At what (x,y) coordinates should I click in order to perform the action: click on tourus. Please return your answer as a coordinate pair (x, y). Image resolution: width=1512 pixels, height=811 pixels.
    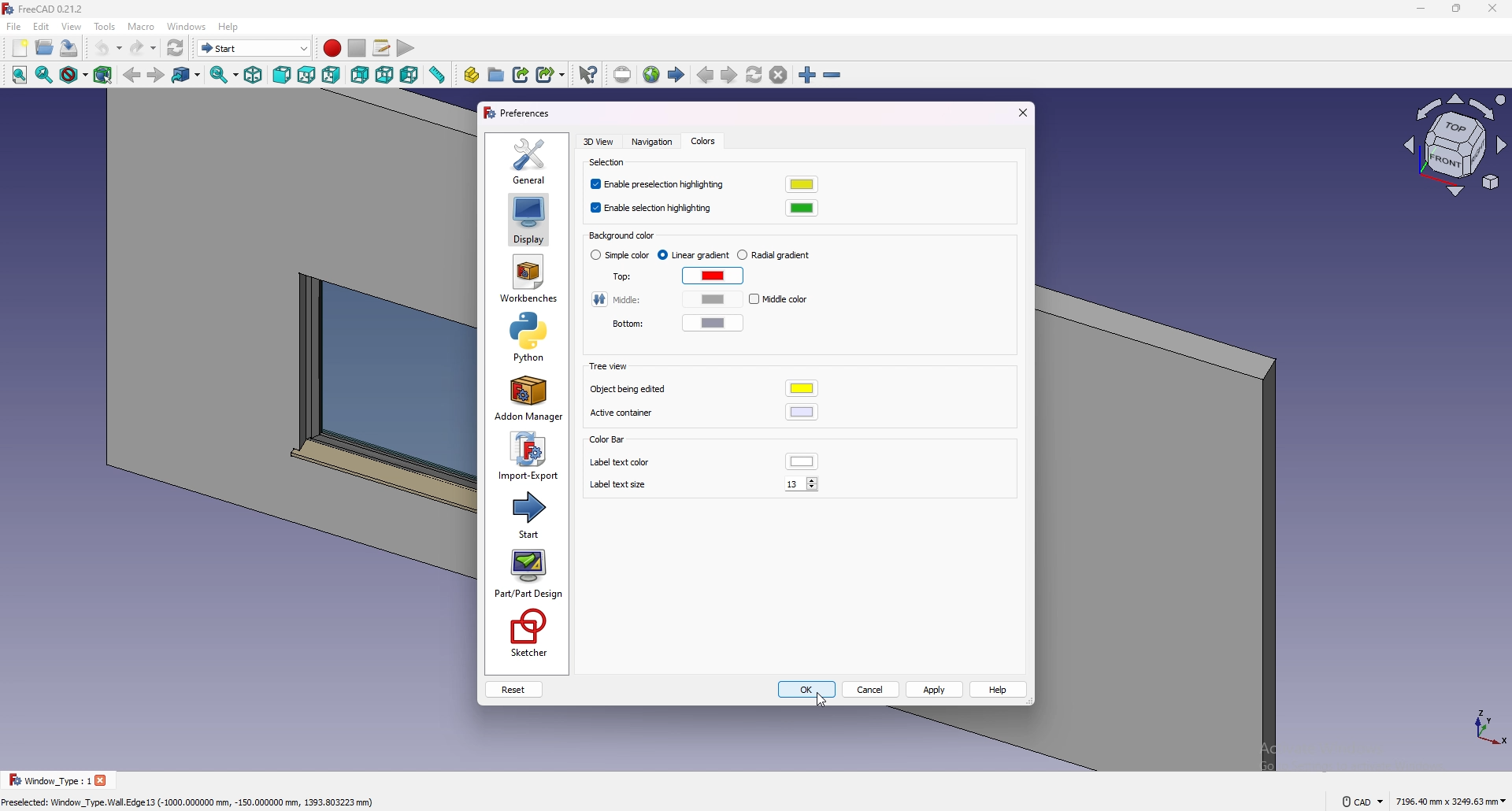
    Looking at the image, I should click on (1480, 726).